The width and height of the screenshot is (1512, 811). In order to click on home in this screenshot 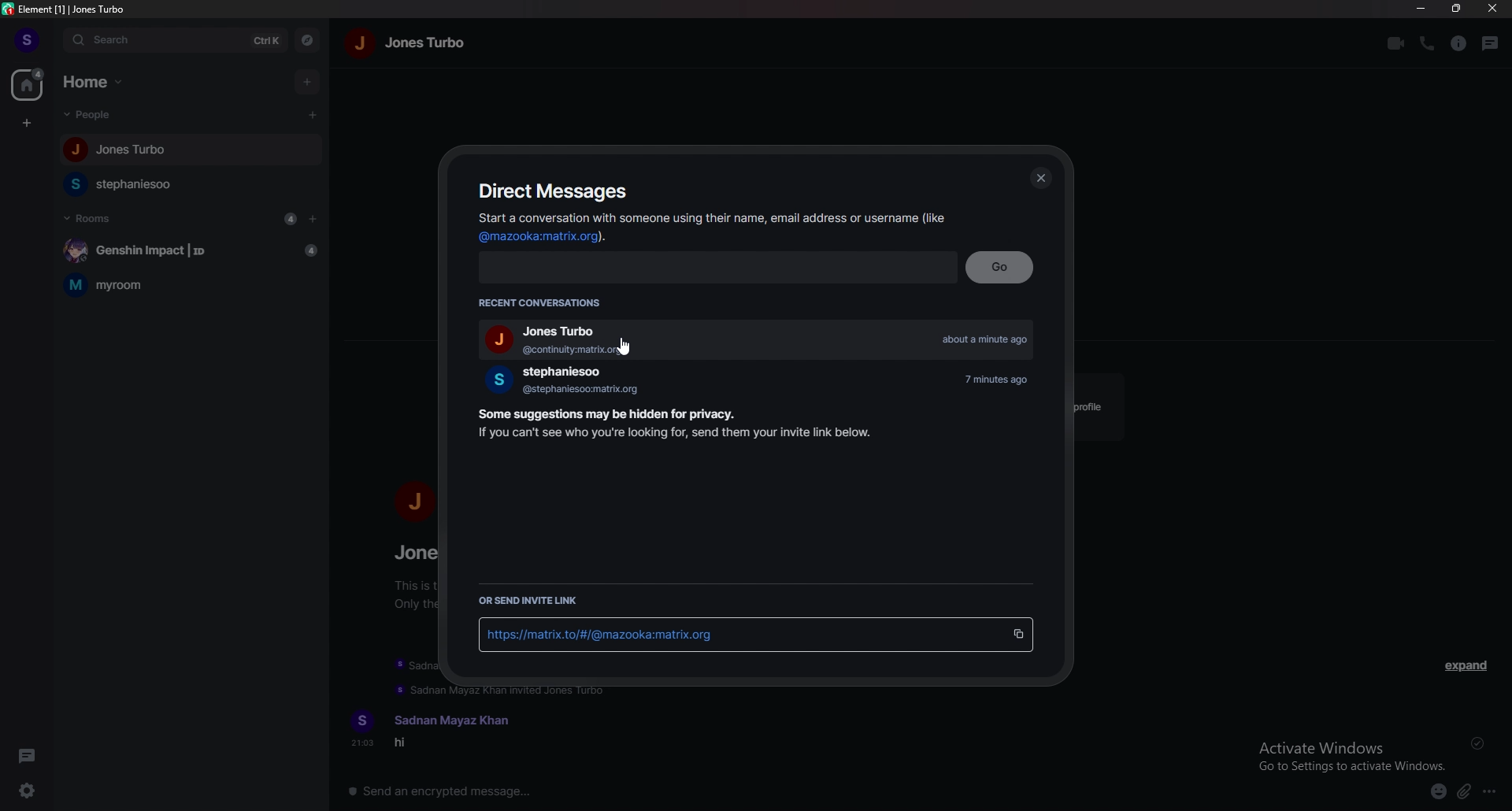, I will do `click(28, 84)`.